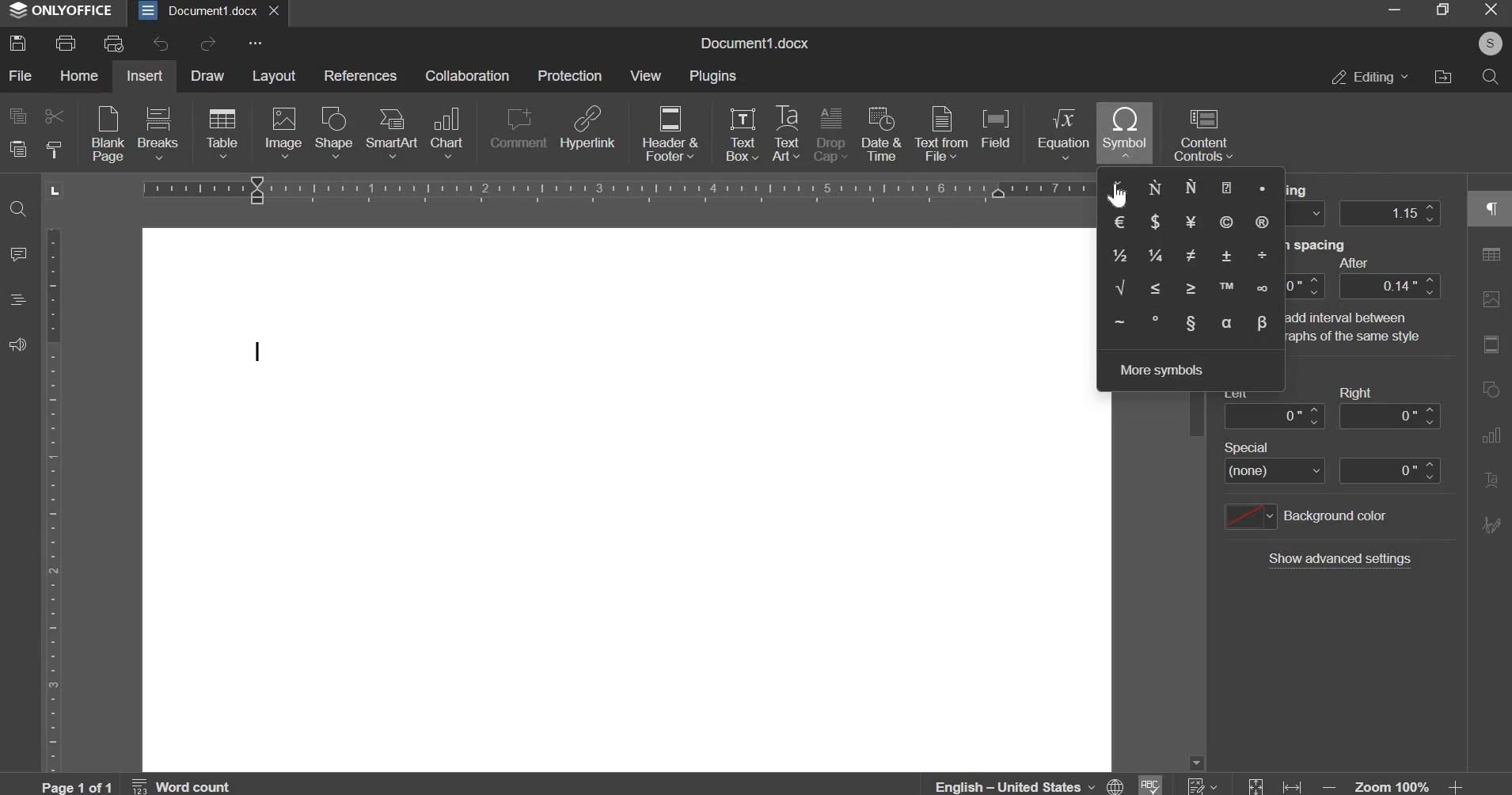 Image resolution: width=1512 pixels, height=795 pixels. What do you see at coordinates (54, 147) in the screenshot?
I see `copy style` at bounding box center [54, 147].